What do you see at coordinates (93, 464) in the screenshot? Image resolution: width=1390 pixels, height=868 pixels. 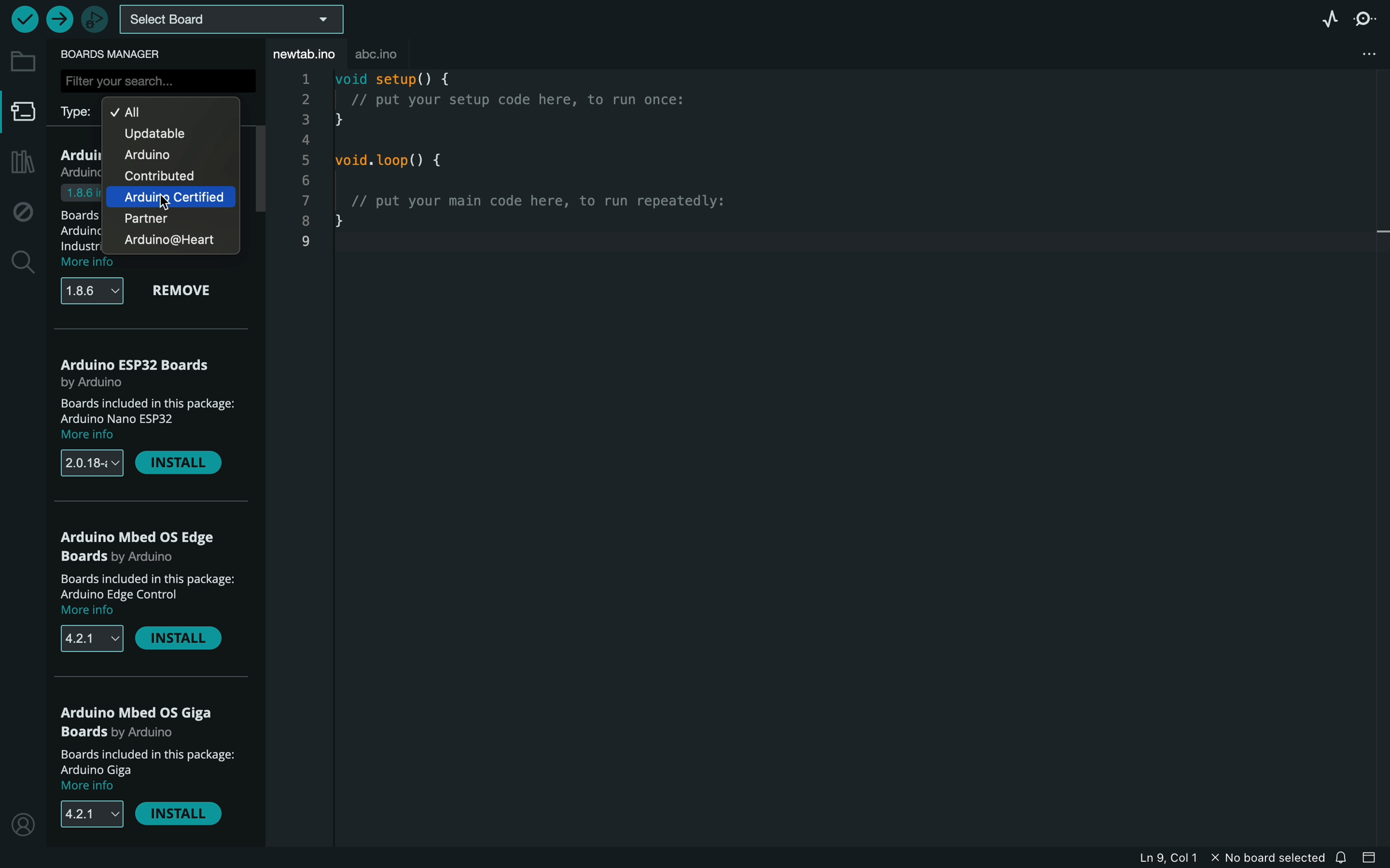 I see `versions` at bounding box center [93, 464].